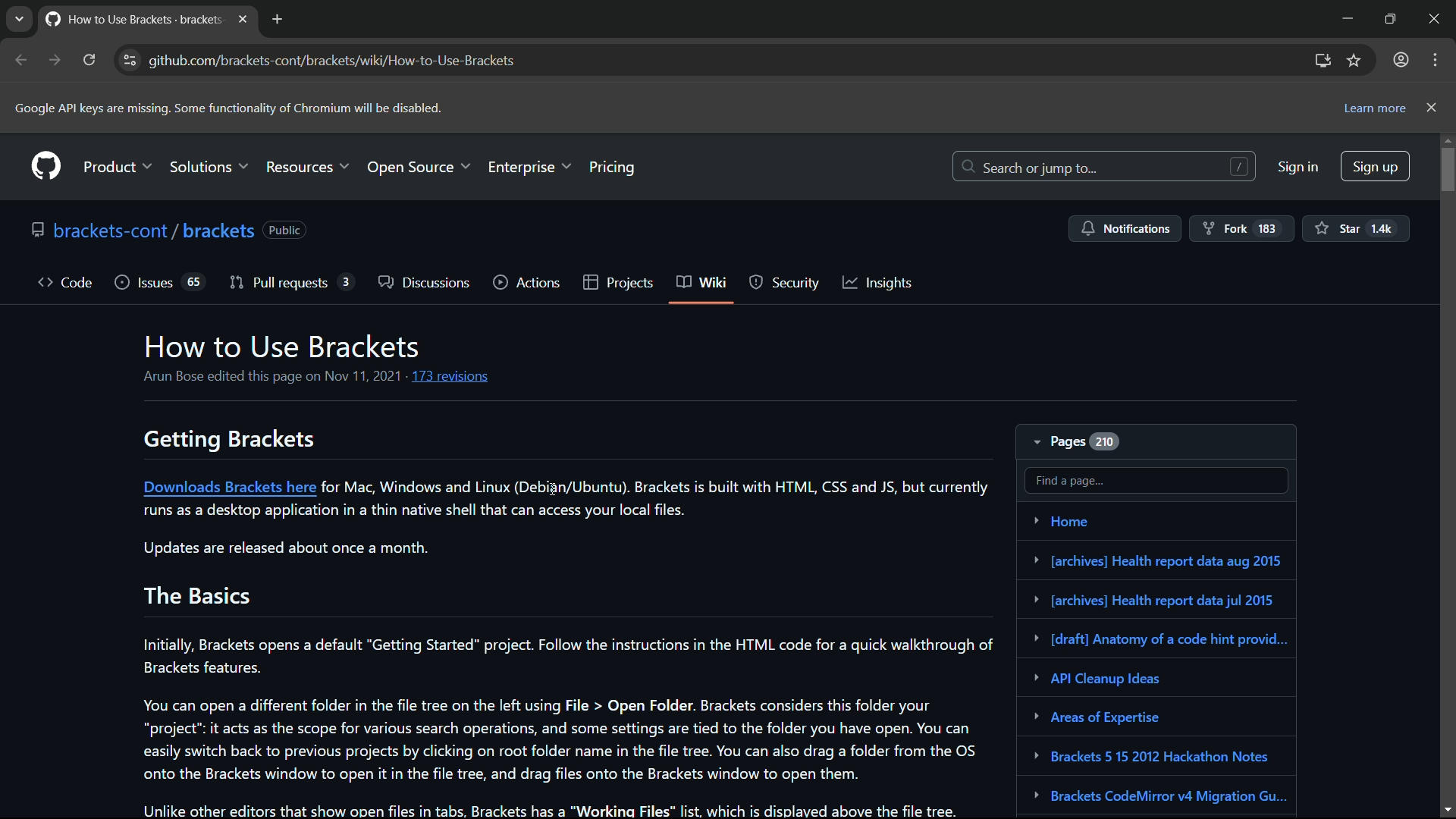 The image size is (1456, 819). What do you see at coordinates (210, 165) in the screenshot?
I see `solutions` at bounding box center [210, 165].